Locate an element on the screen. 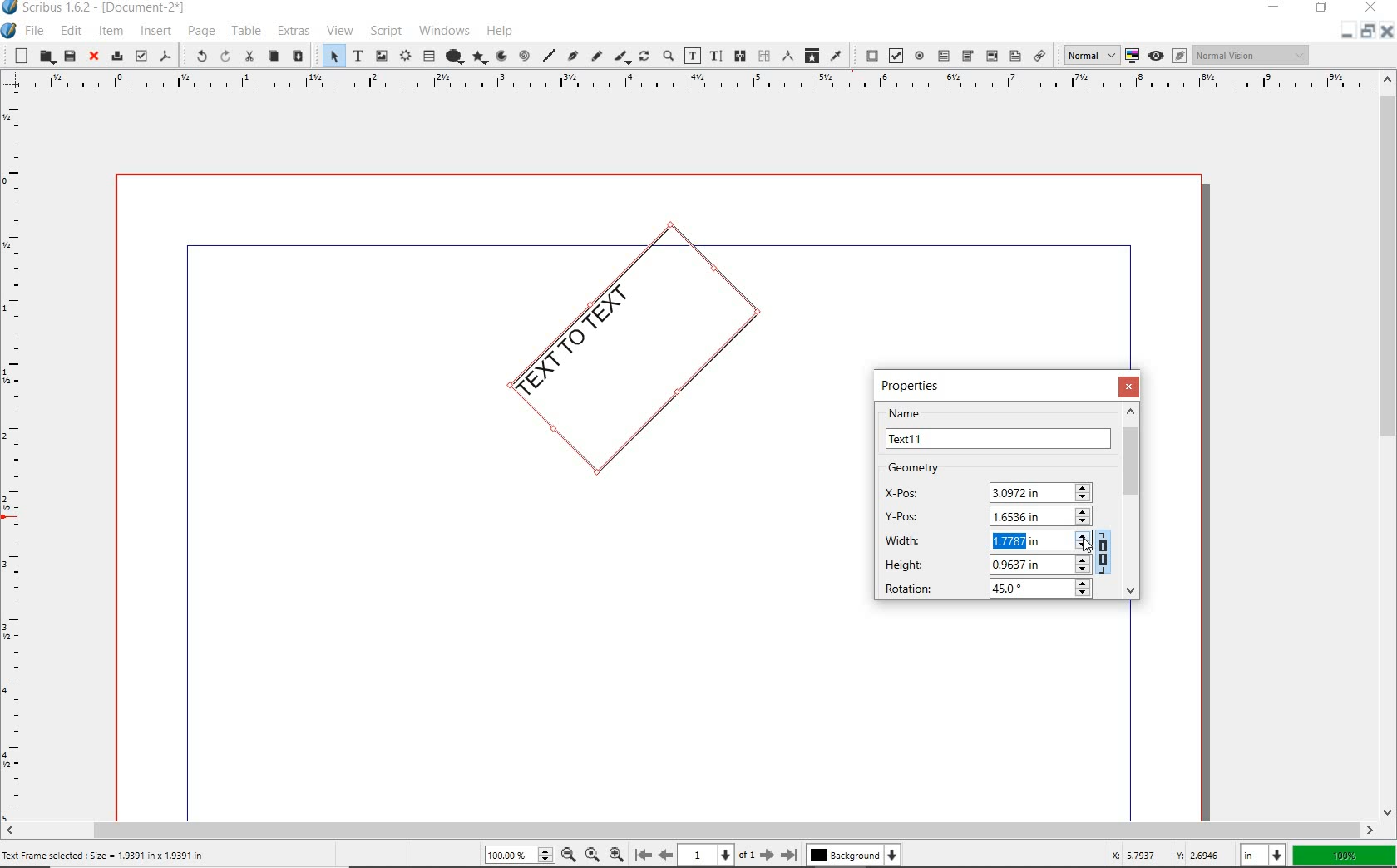  view is located at coordinates (340, 32).